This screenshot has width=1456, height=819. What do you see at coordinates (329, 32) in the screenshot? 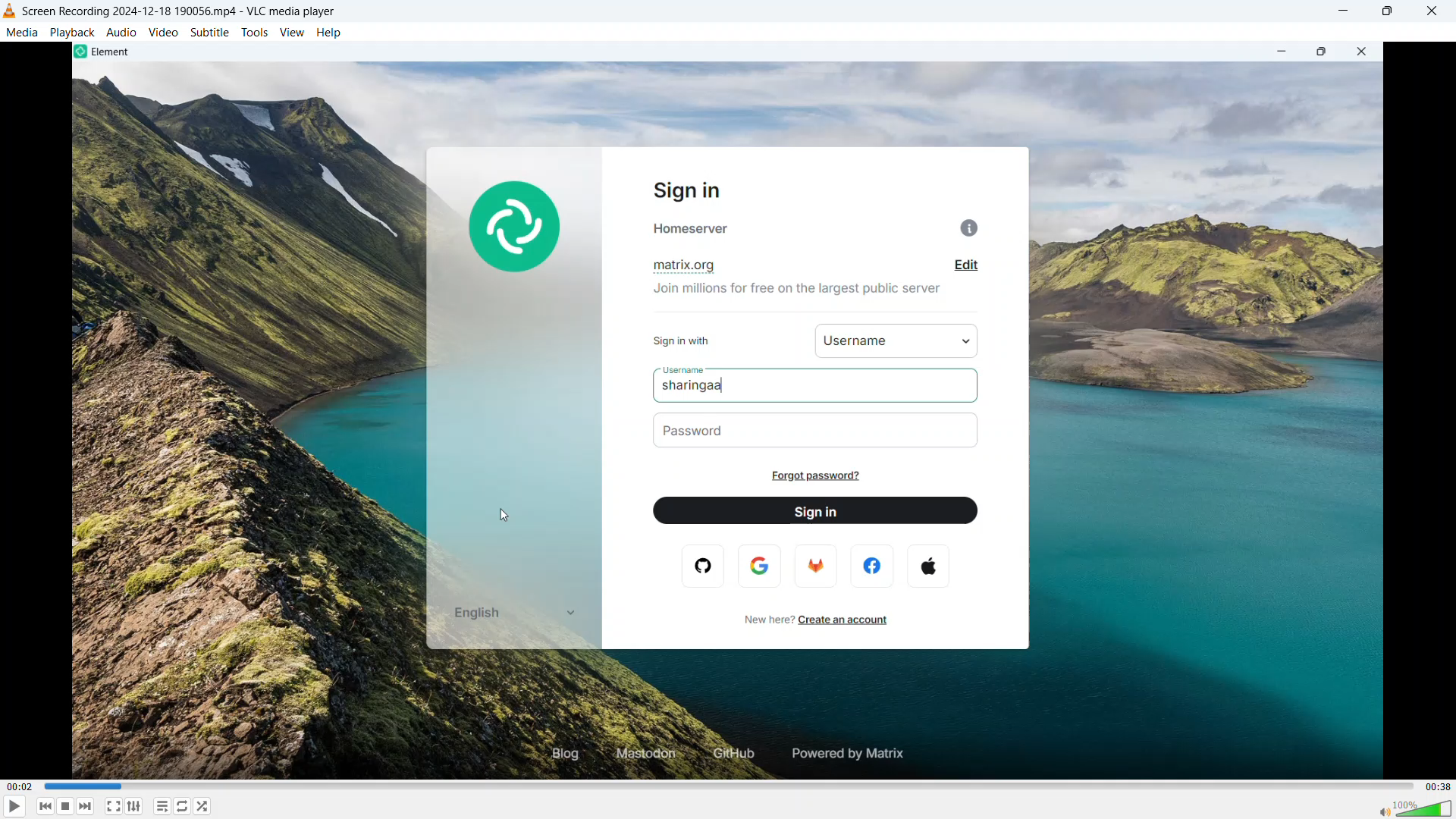
I see `Help ` at bounding box center [329, 32].